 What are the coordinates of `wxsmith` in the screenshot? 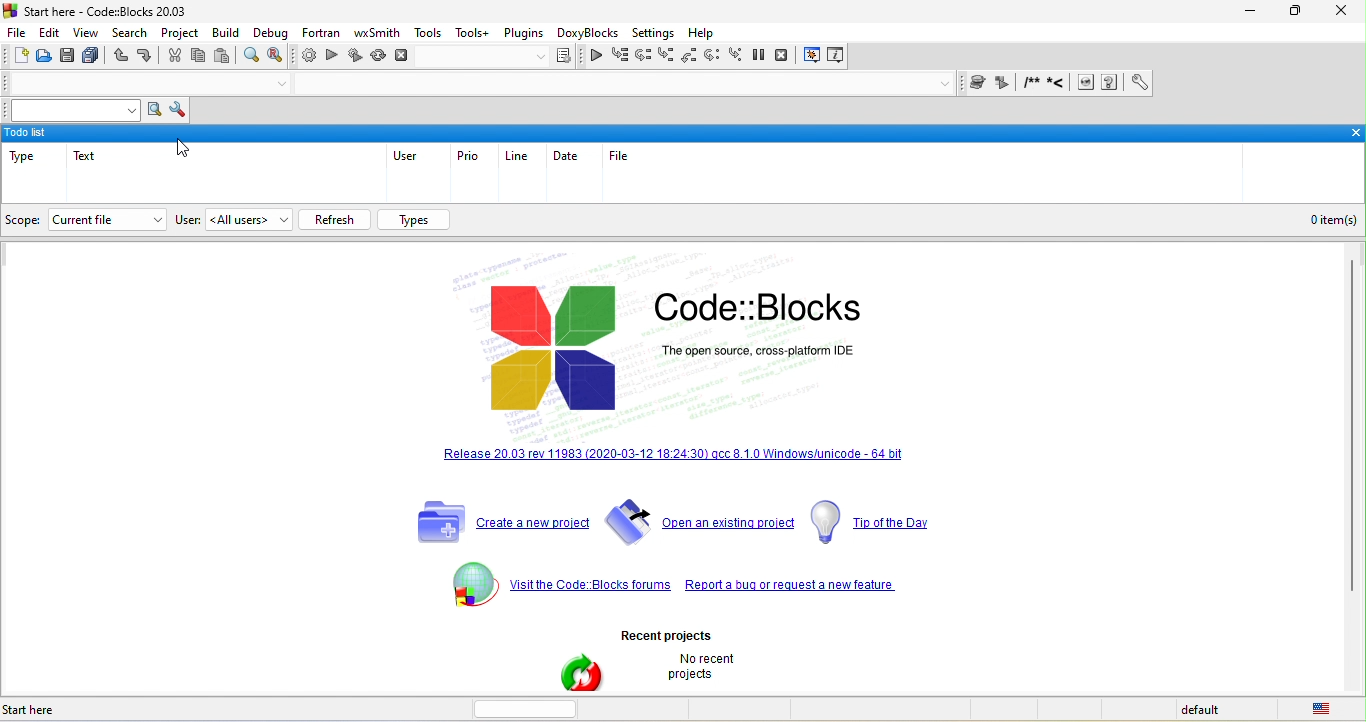 It's located at (377, 32).